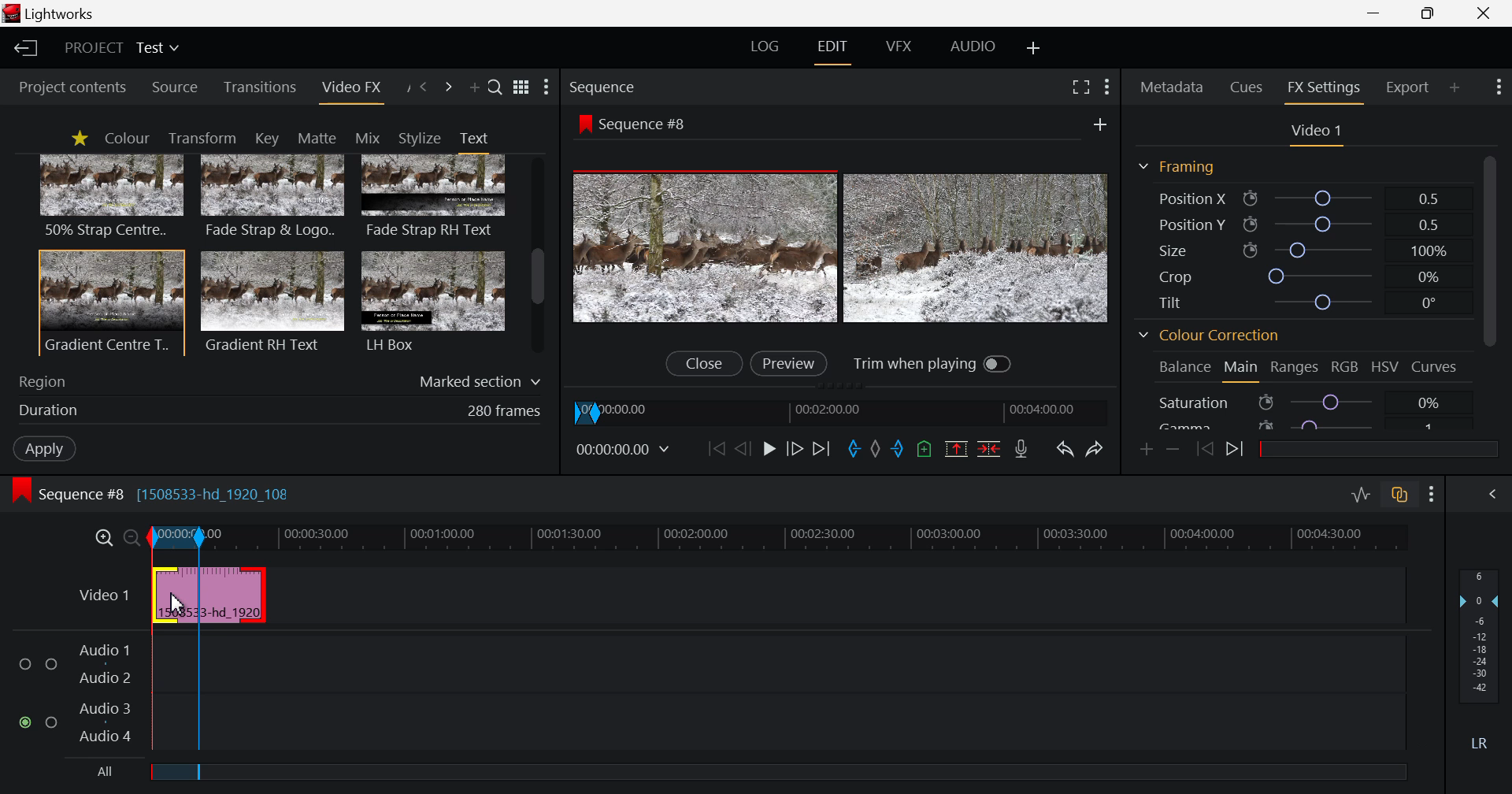  Describe the element at coordinates (1455, 85) in the screenshot. I see `Add Panel` at that location.